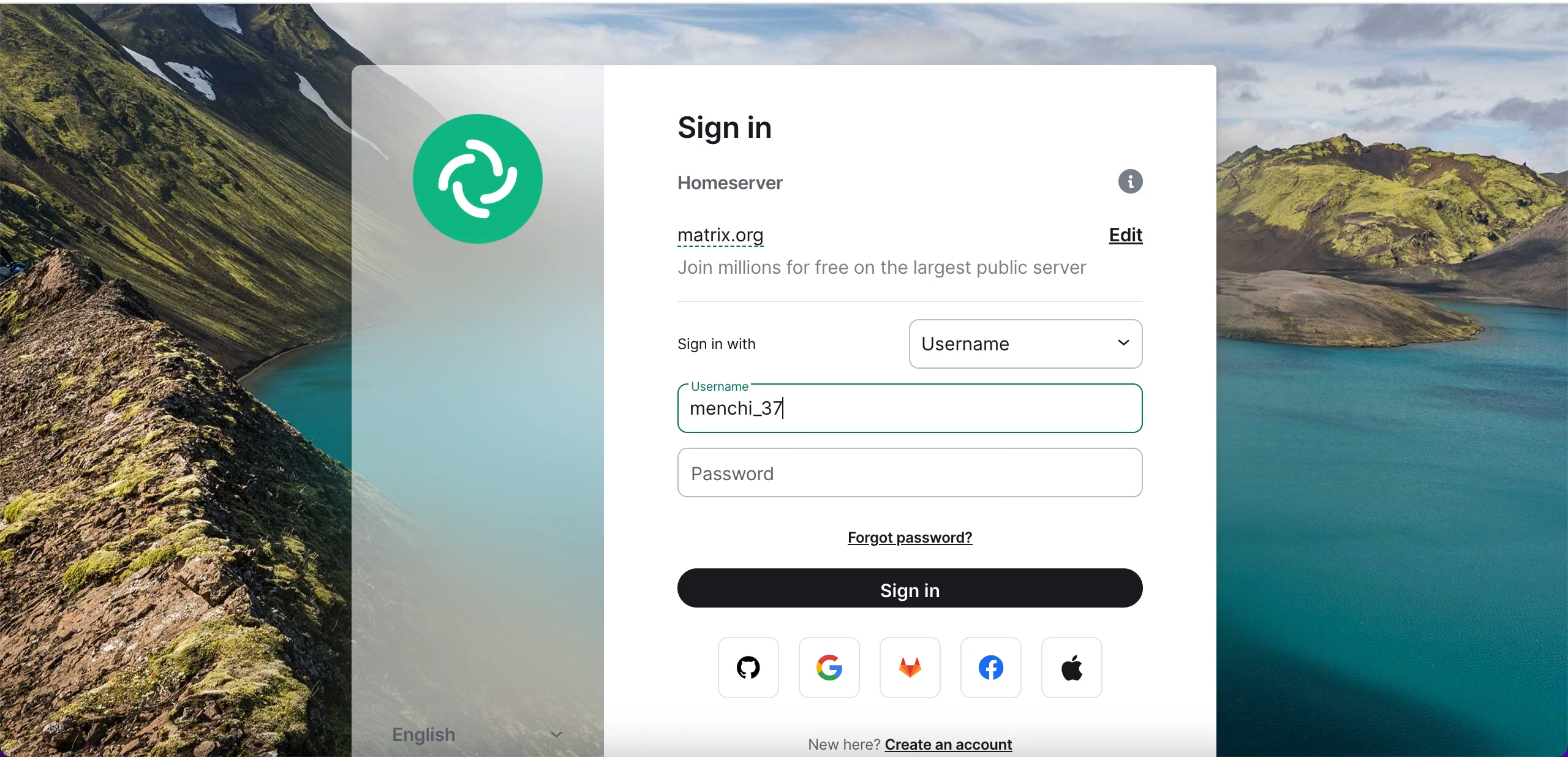 The height and width of the screenshot is (757, 1568). I want to click on password, so click(927, 475).